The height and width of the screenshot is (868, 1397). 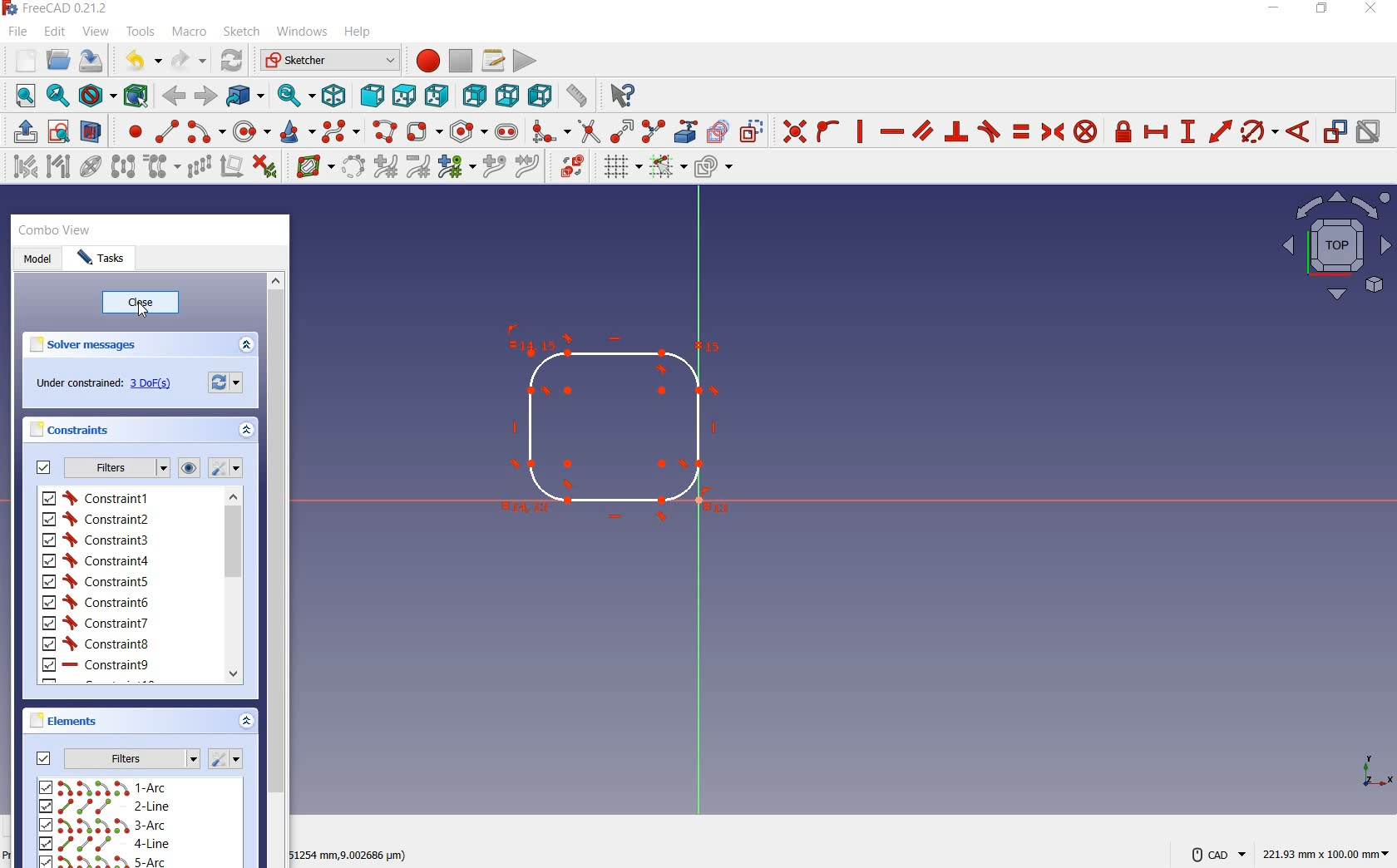 What do you see at coordinates (241, 32) in the screenshot?
I see `sketch` at bounding box center [241, 32].